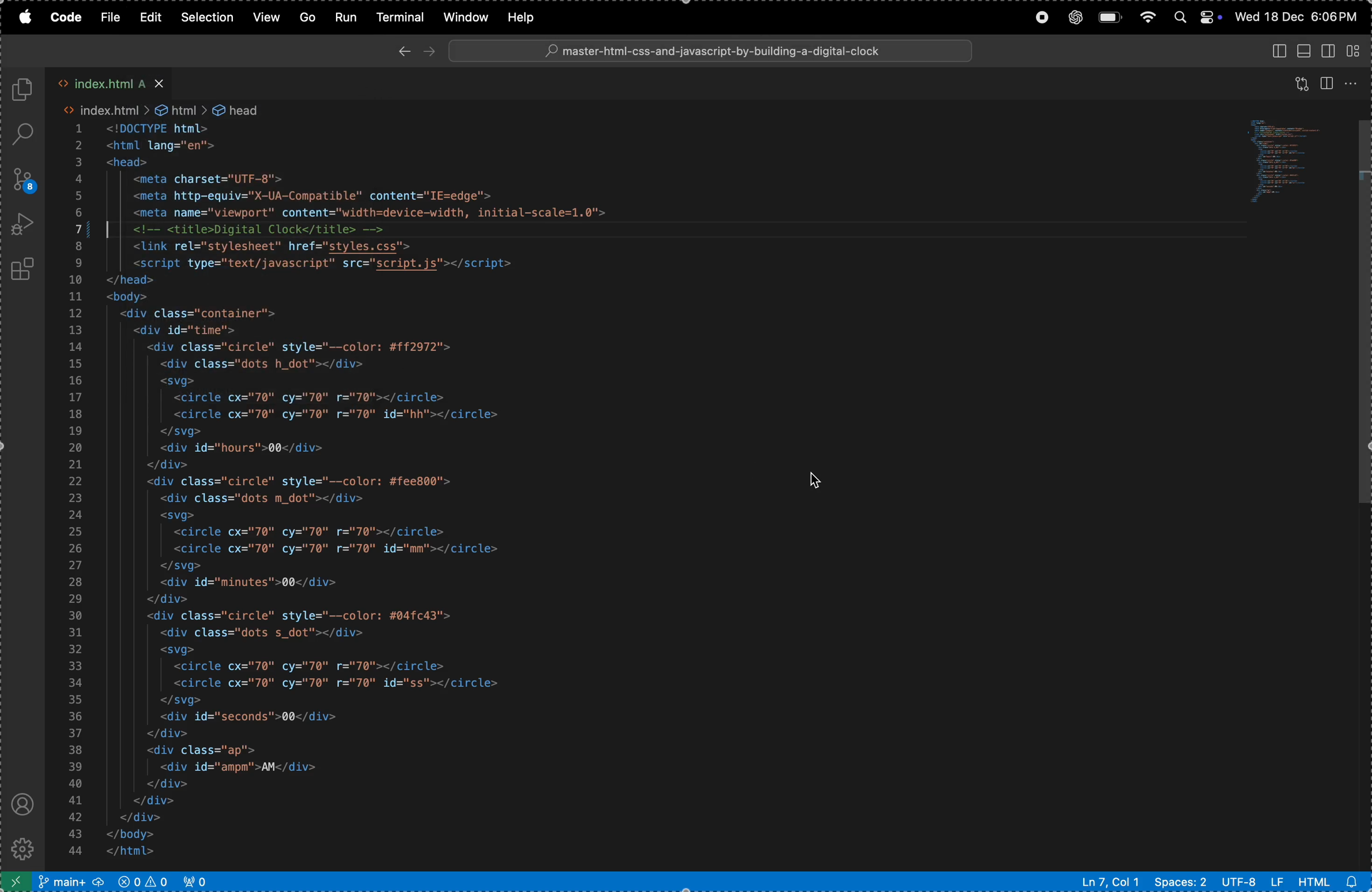 The height and width of the screenshot is (892, 1372). What do you see at coordinates (265, 18) in the screenshot?
I see `view` at bounding box center [265, 18].